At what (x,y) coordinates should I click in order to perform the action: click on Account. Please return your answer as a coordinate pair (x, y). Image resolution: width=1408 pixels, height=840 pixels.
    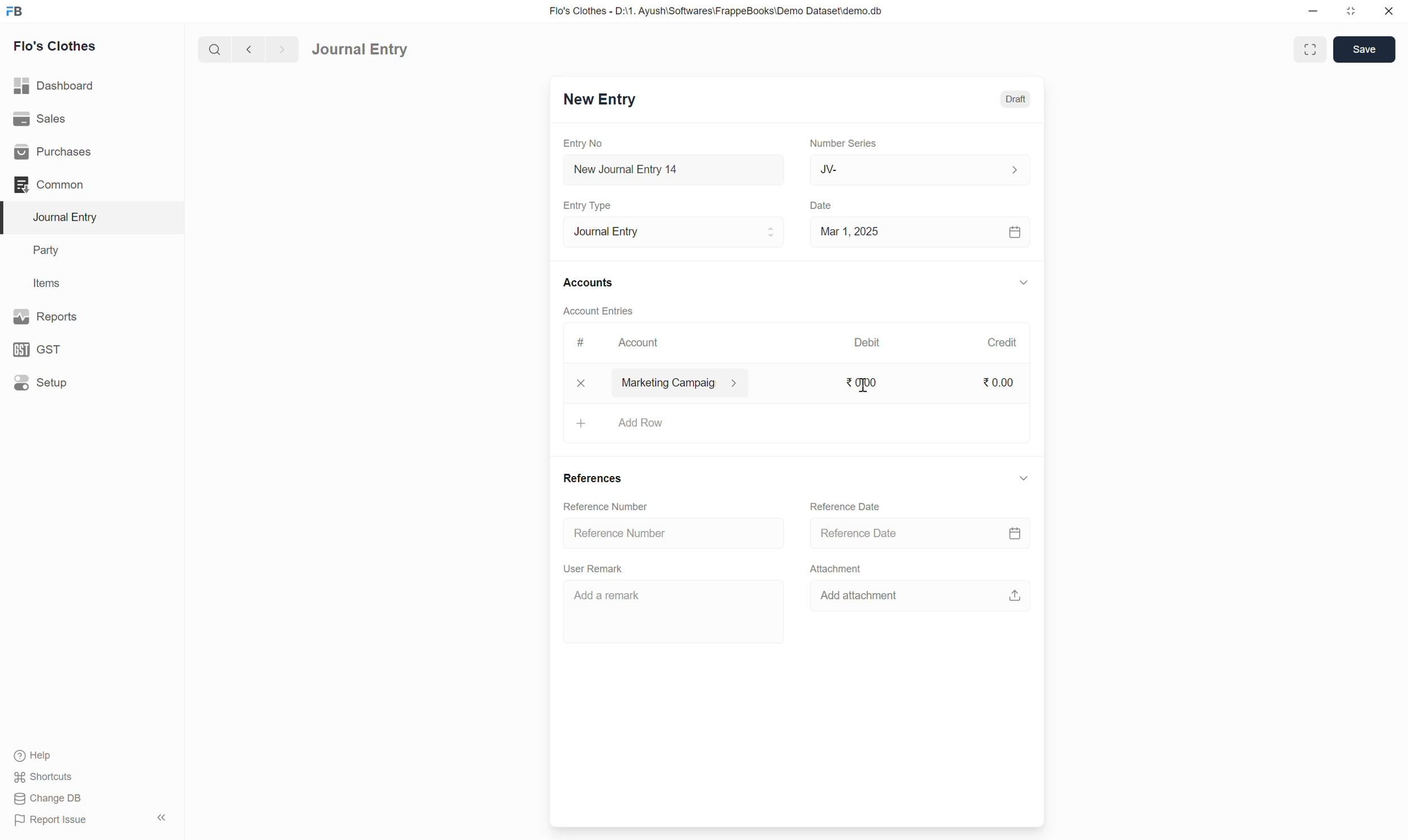
    Looking at the image, I should click on (640, 342).